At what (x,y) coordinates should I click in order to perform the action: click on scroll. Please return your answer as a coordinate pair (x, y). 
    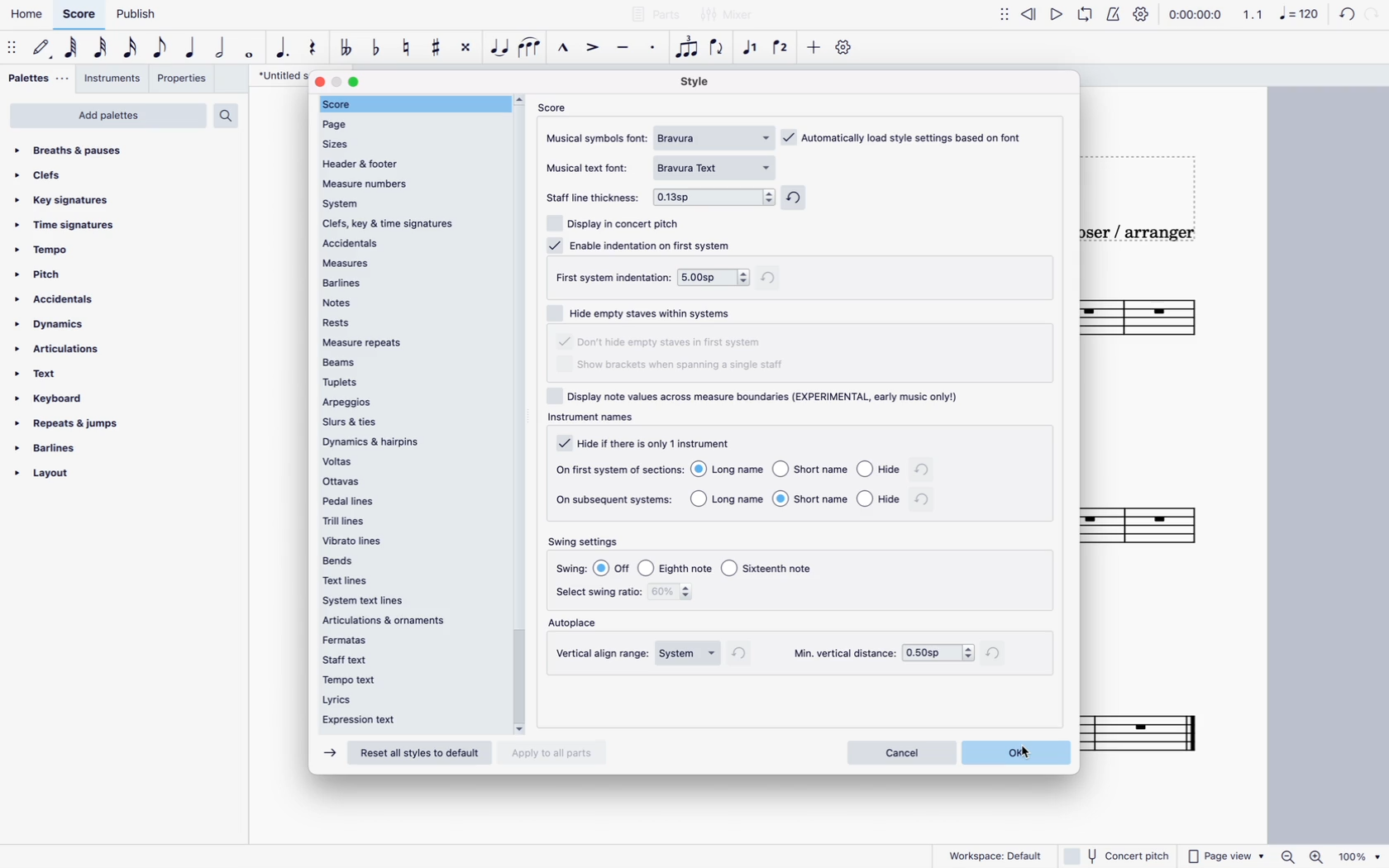
    Looking at the image, I should click on (523, 414).